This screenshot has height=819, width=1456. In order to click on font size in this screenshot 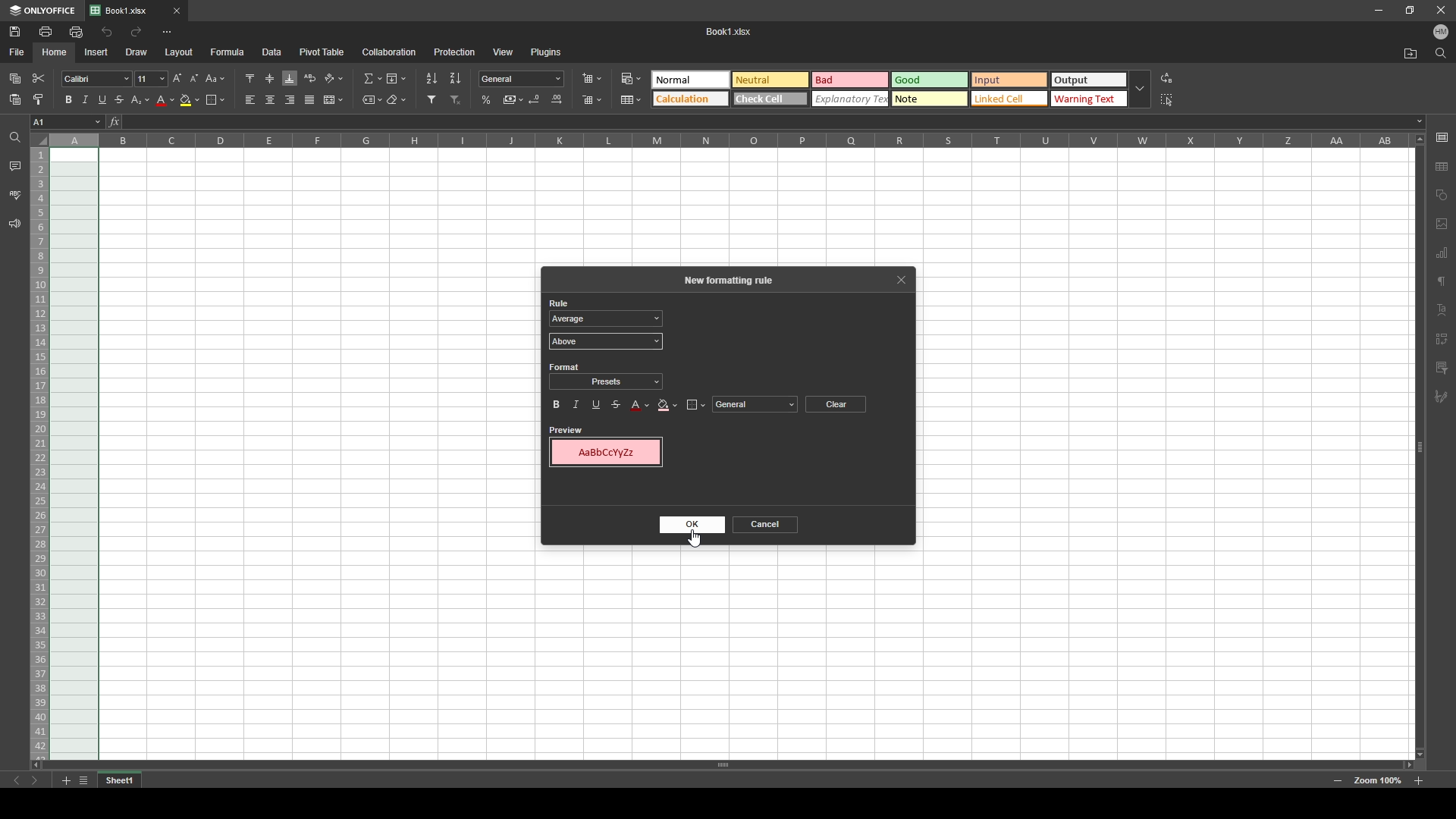, I will do `click(151, 79)`.